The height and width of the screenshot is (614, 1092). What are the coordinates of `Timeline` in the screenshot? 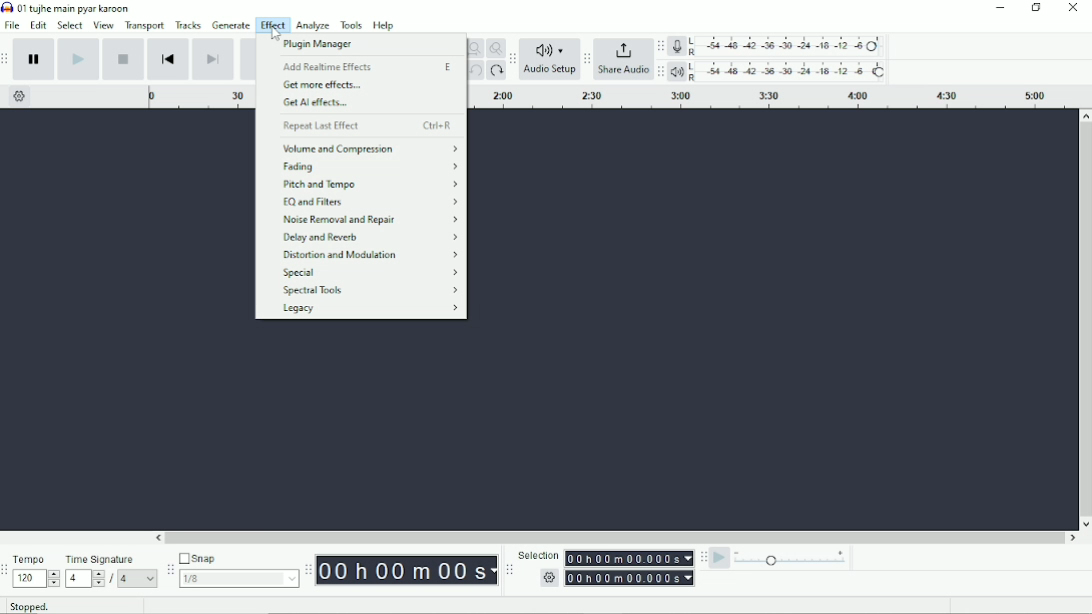 It's located at (772, 97).